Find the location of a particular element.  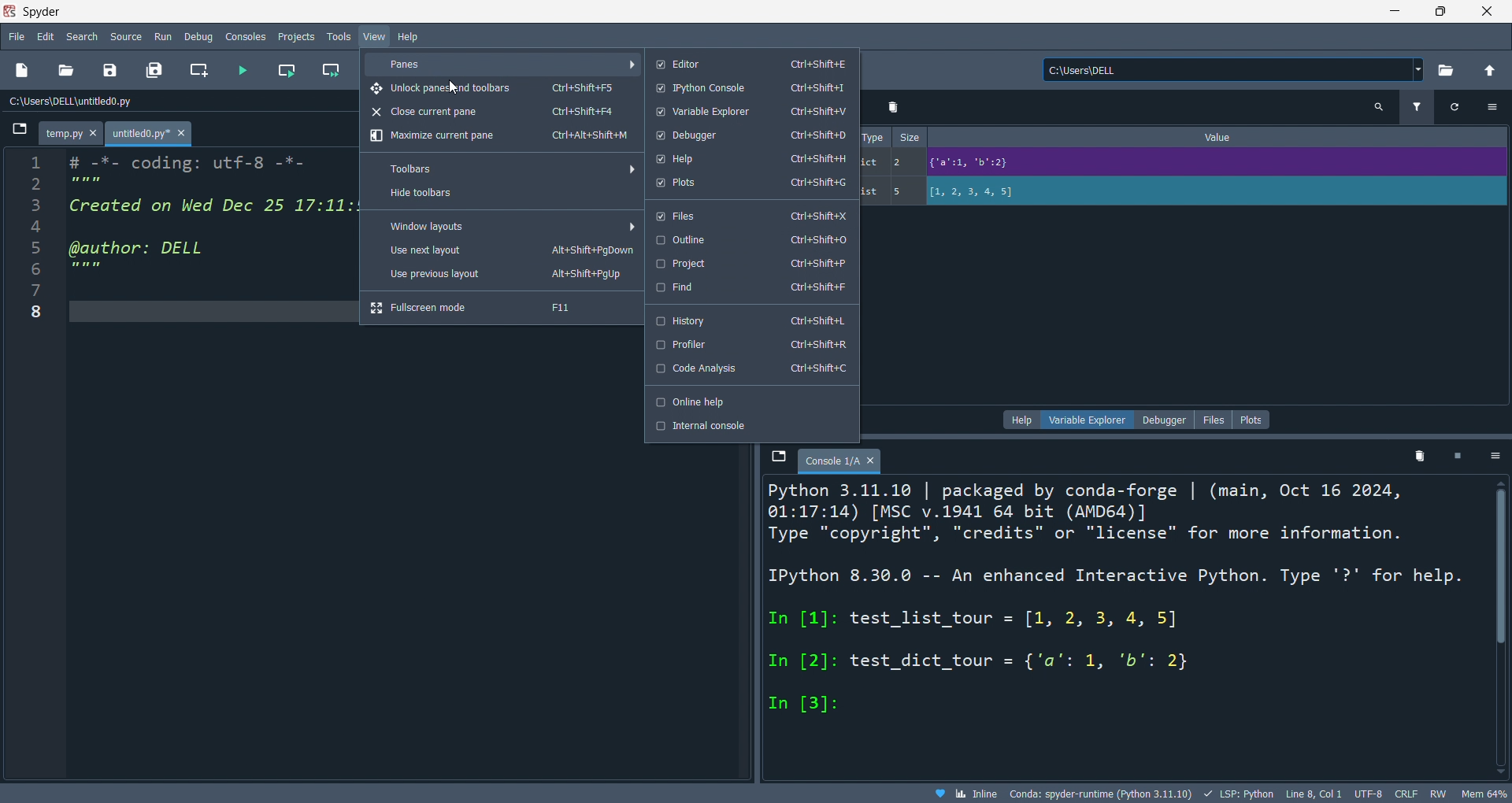

plots is located at coordinates (1252, 420).